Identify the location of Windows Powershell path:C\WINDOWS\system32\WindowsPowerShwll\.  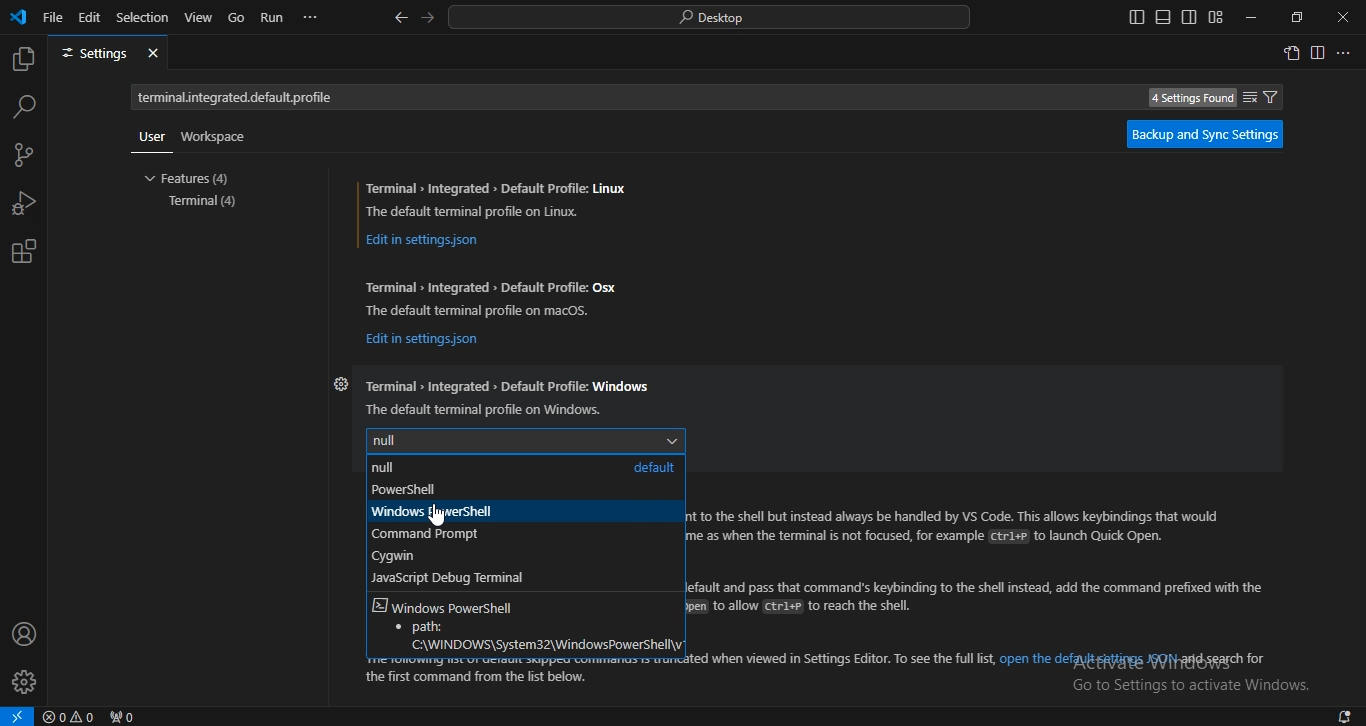
(525, 626).